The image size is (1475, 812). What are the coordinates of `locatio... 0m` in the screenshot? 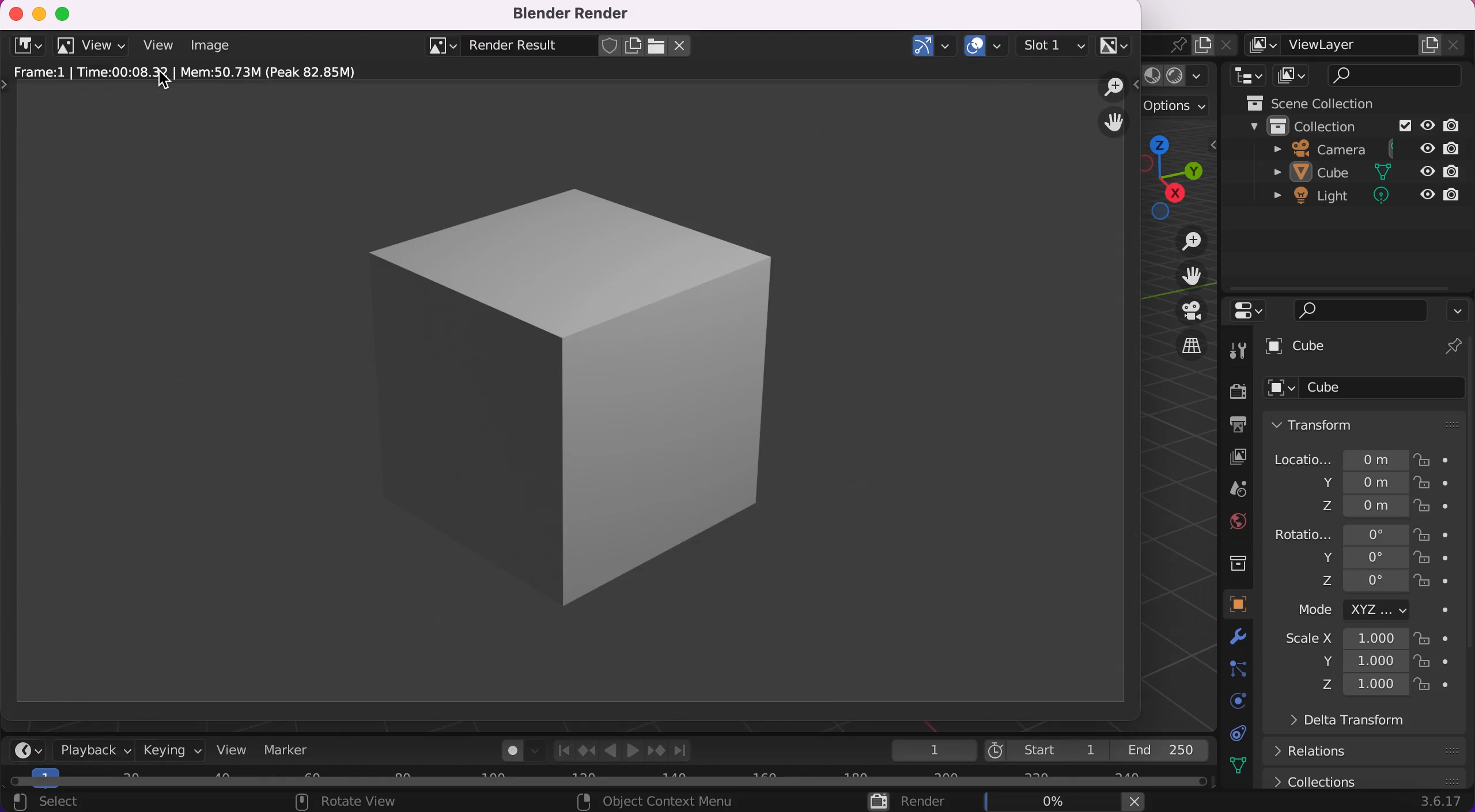 It's located at (1335, 458).